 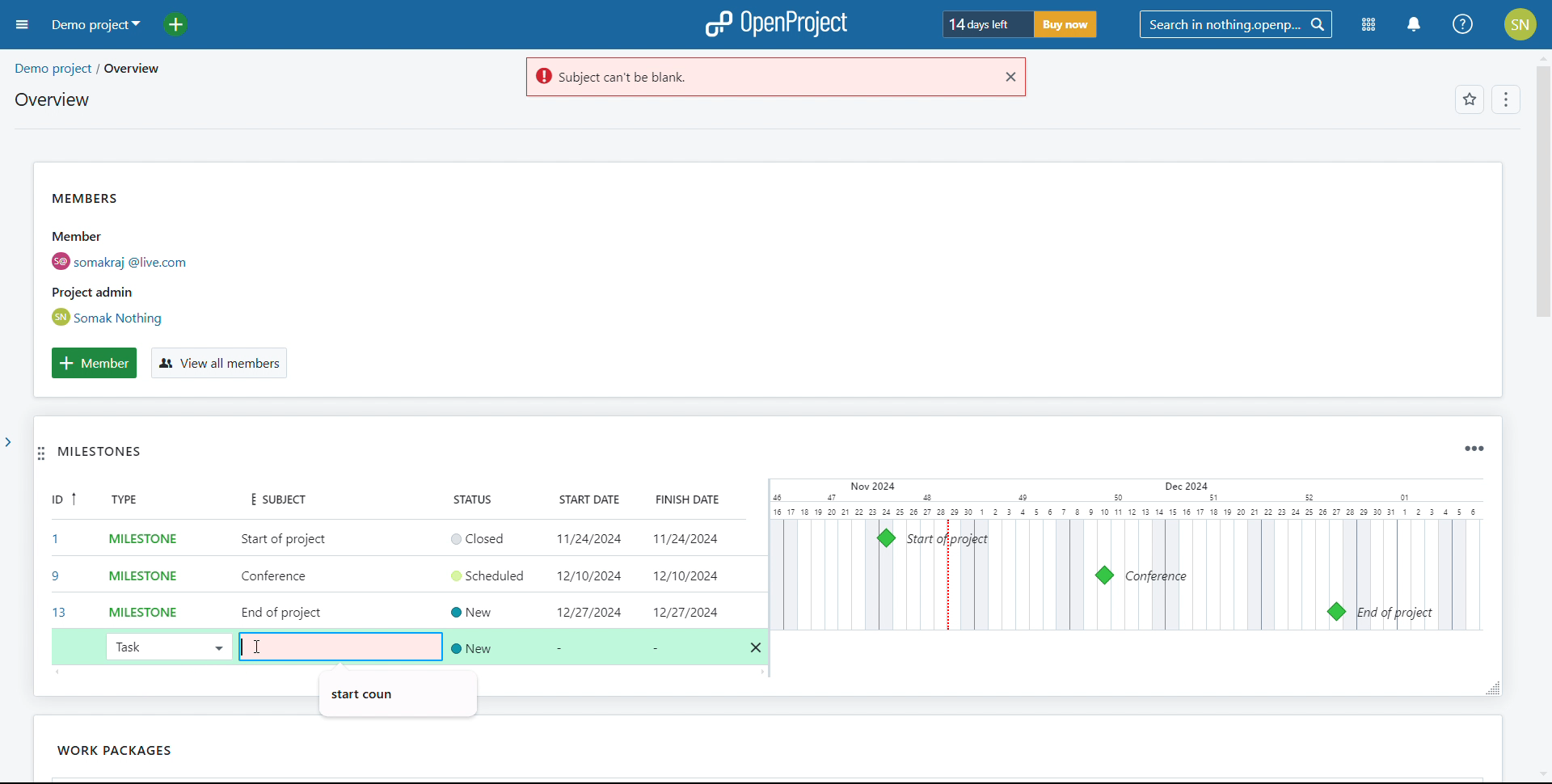 What do you see at coordinates (584, 500) in the screenshot?
I see `start date` at bounding box center [584, 500].